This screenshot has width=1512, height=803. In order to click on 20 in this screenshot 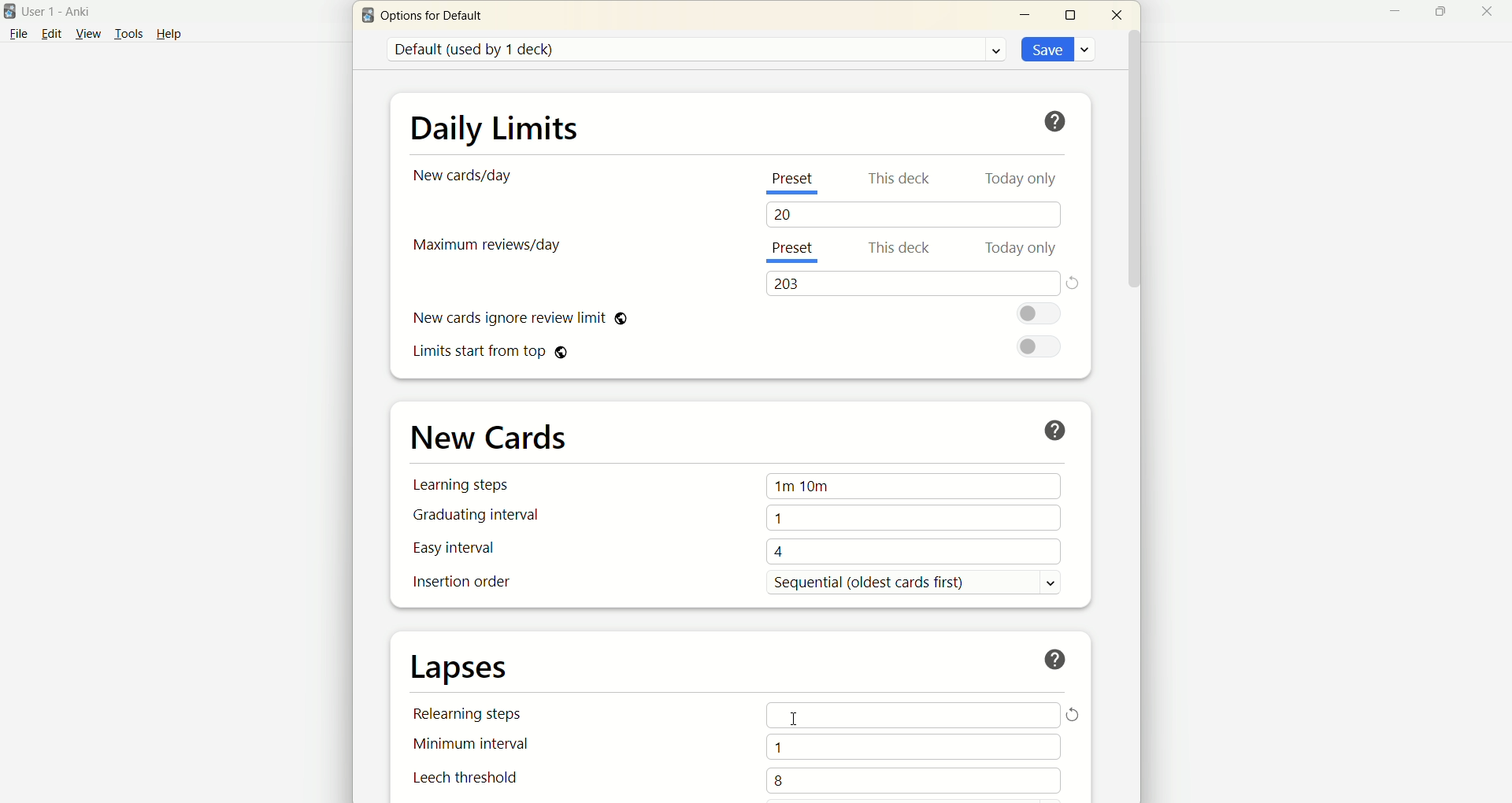, I will do `click(917, 215)`.